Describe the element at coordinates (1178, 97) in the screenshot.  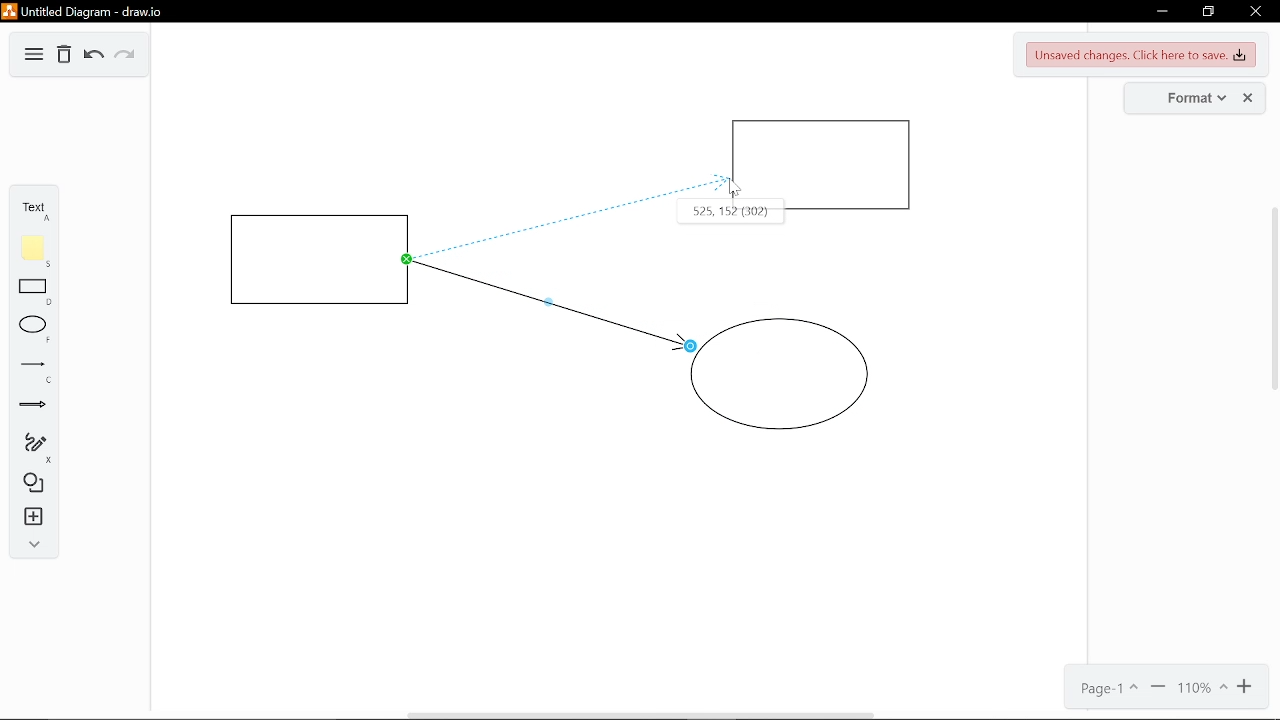
I see `Format` at that location.